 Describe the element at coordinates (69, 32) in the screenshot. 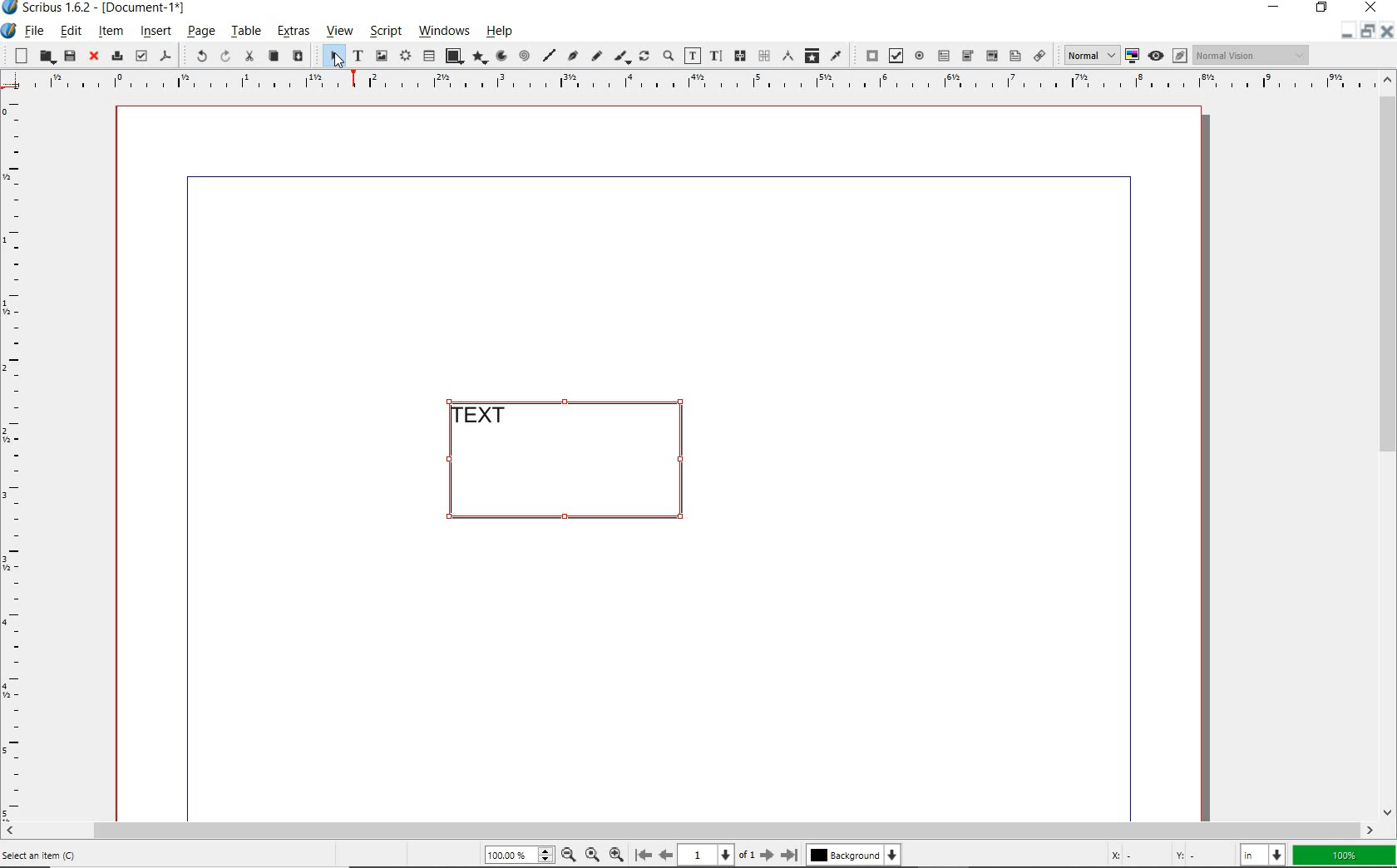

I see `edit` at that location.